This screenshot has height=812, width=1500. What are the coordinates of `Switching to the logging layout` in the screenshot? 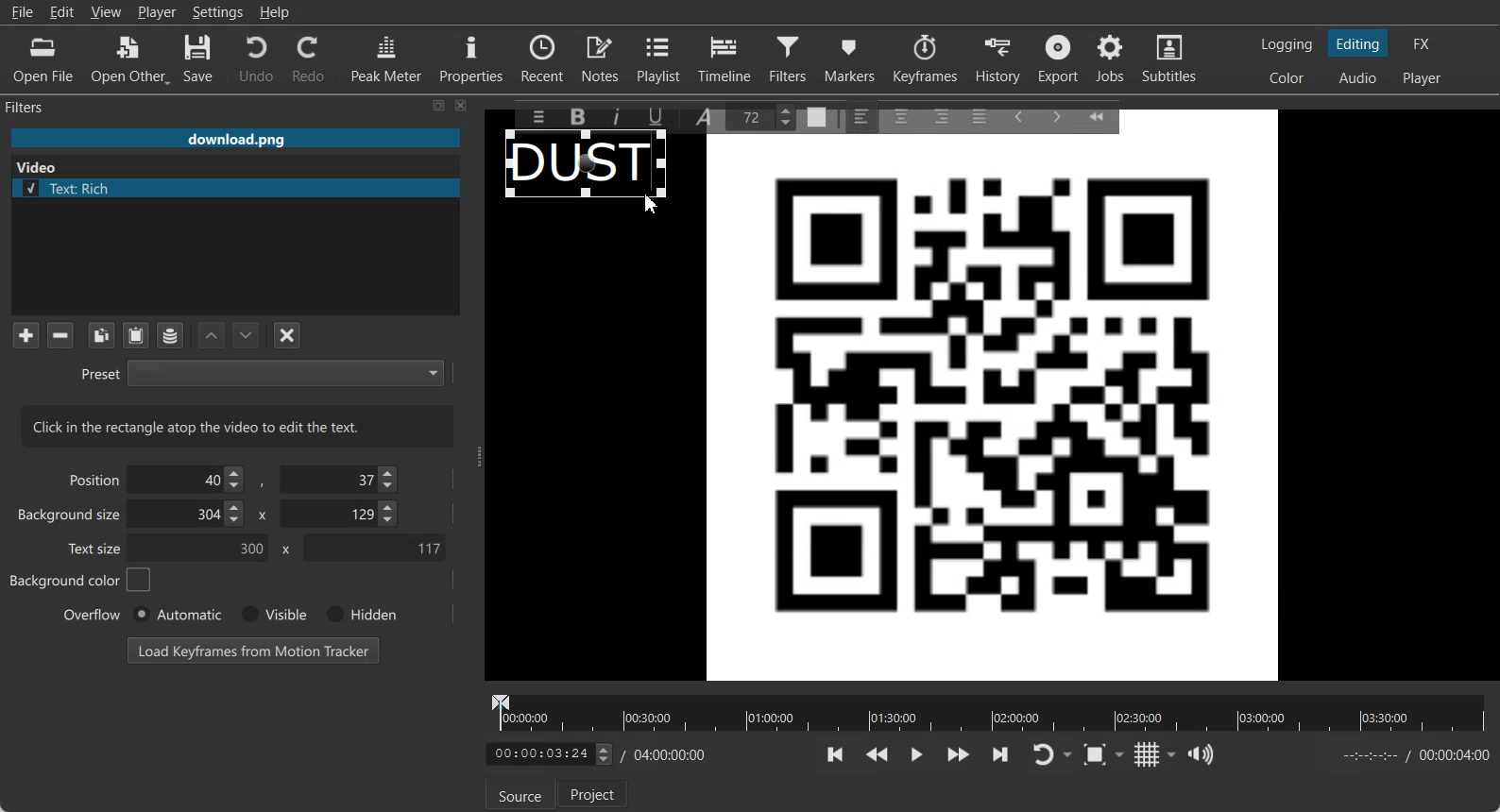 It's located at (1287, 44).